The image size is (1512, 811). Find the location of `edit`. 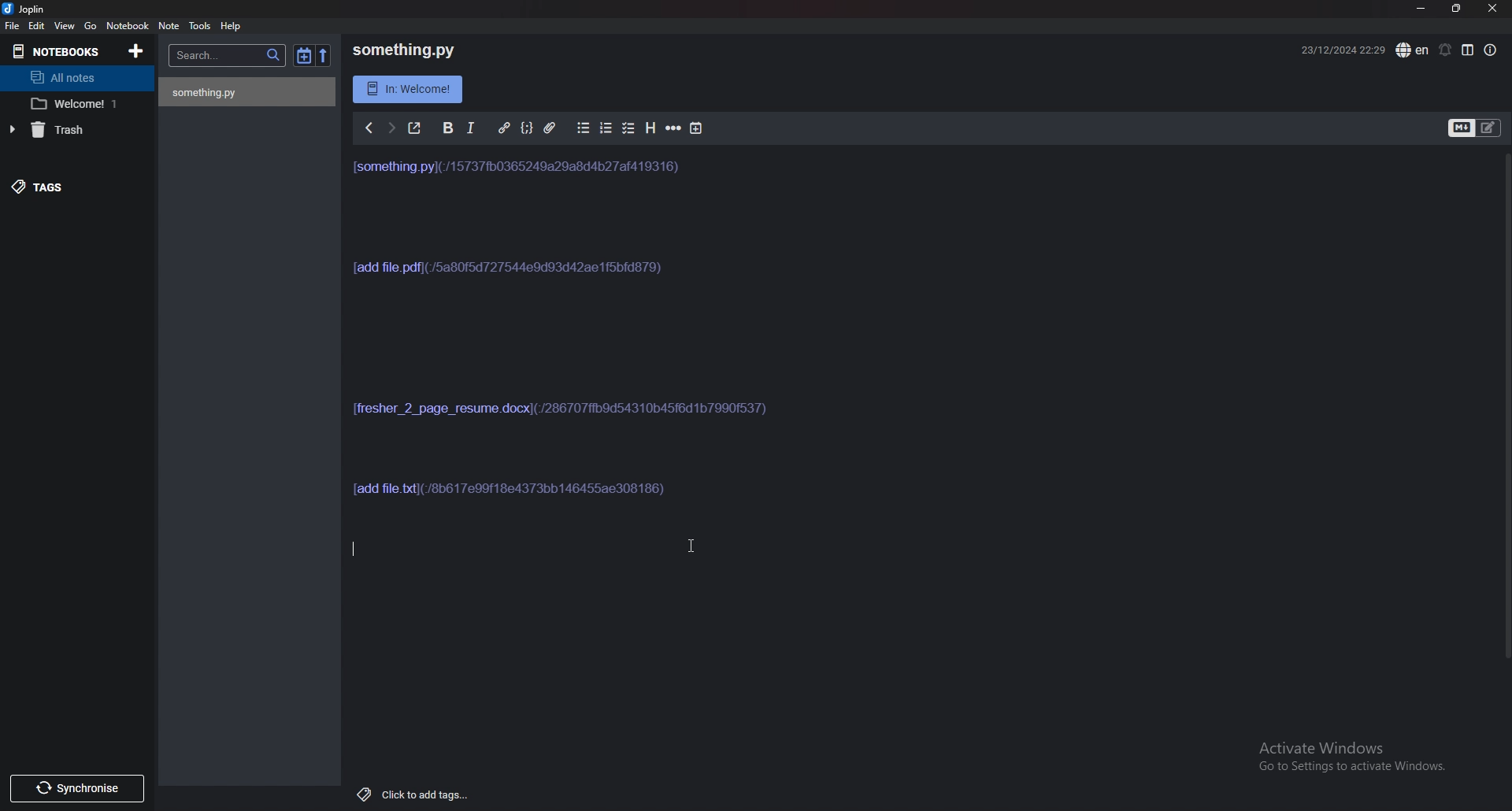

edit is located at coordinates (37, 26).